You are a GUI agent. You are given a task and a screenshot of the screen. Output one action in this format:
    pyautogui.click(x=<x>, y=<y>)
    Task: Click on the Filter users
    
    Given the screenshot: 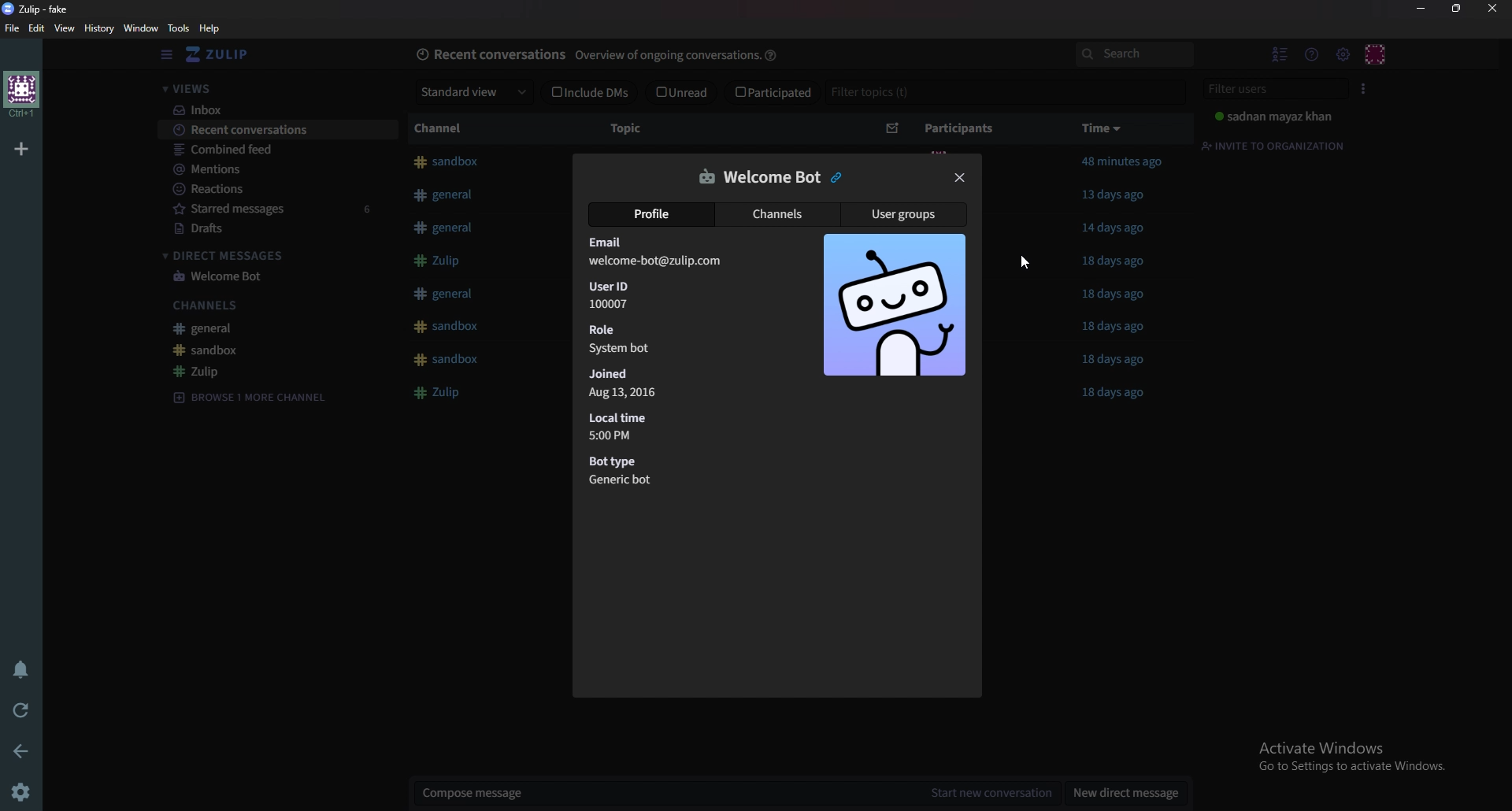 What is the action you would take?
    pyautogui.click(x=1276, y=90)
    